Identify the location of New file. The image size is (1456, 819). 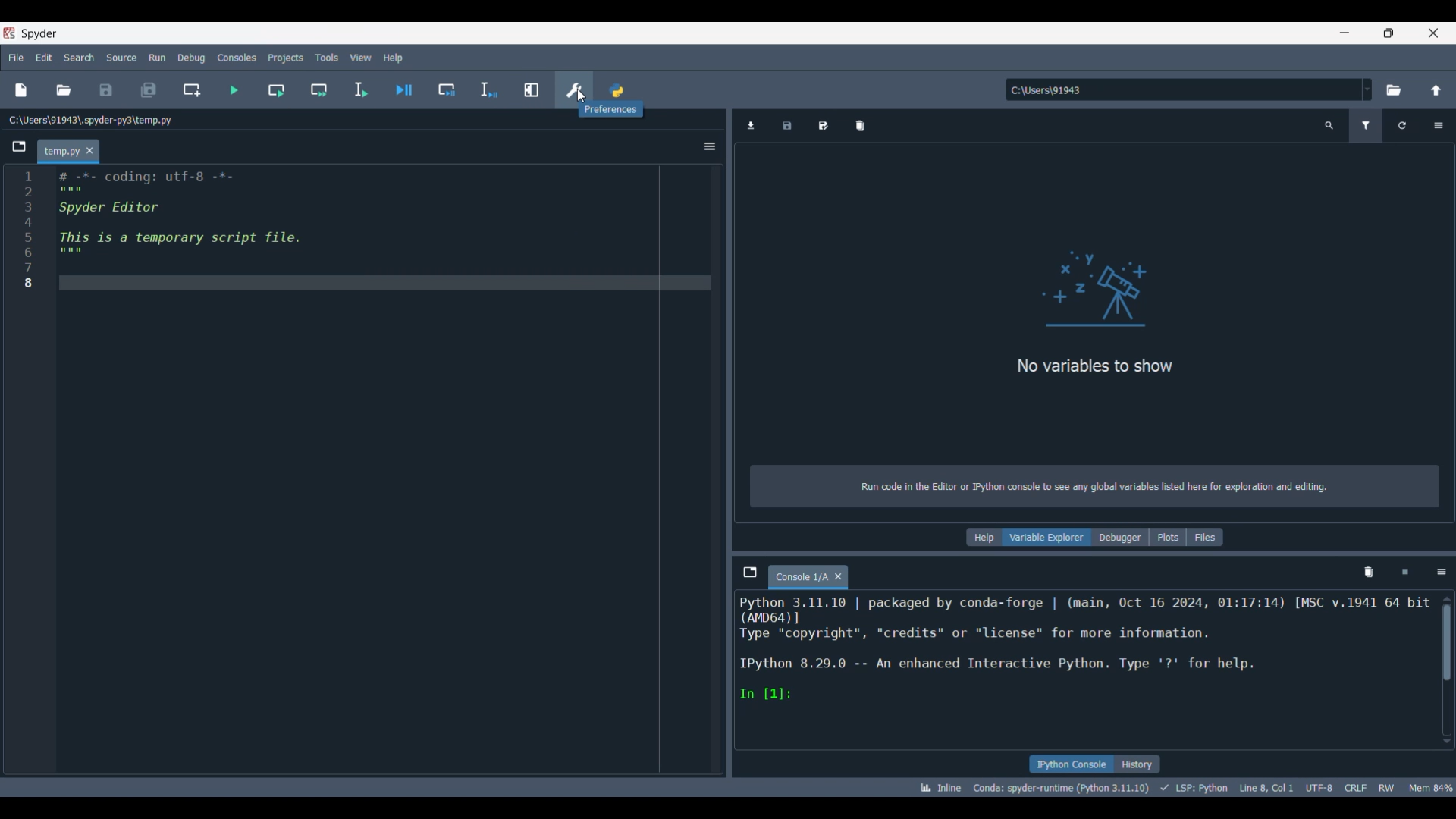
(20, 90).